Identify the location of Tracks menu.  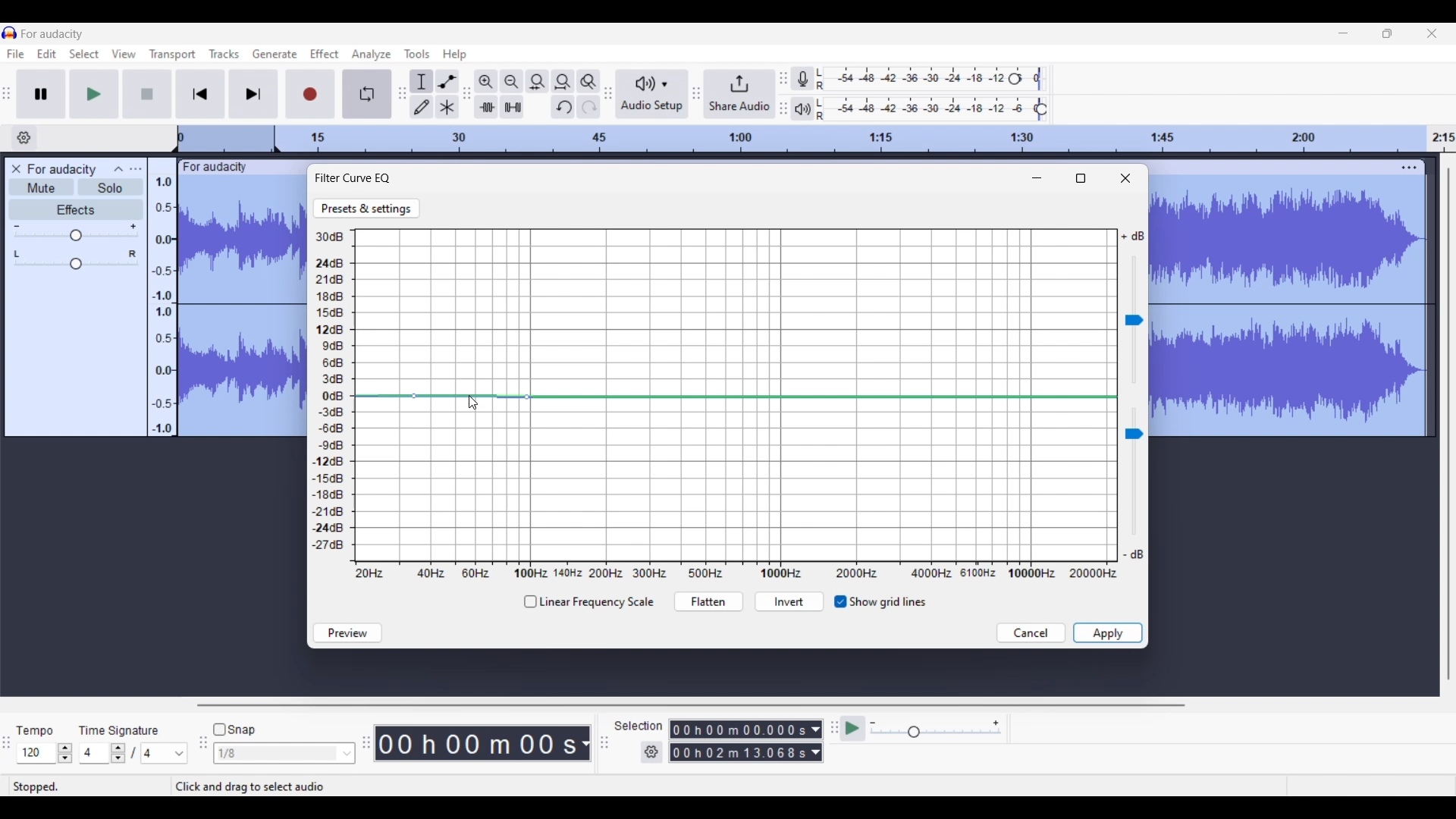
(224, 54).